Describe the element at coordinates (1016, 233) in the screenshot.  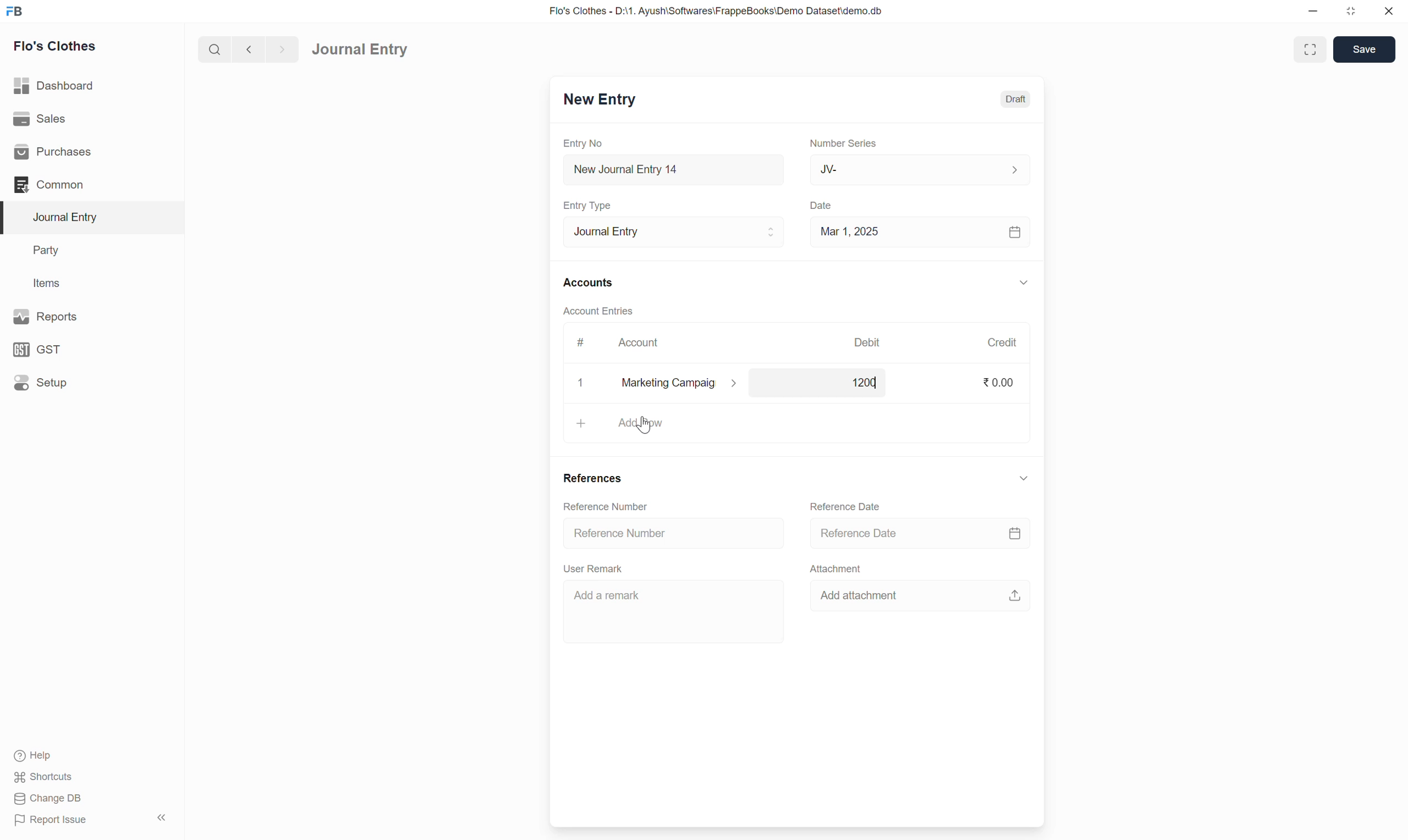
I see `calendar` at that location.